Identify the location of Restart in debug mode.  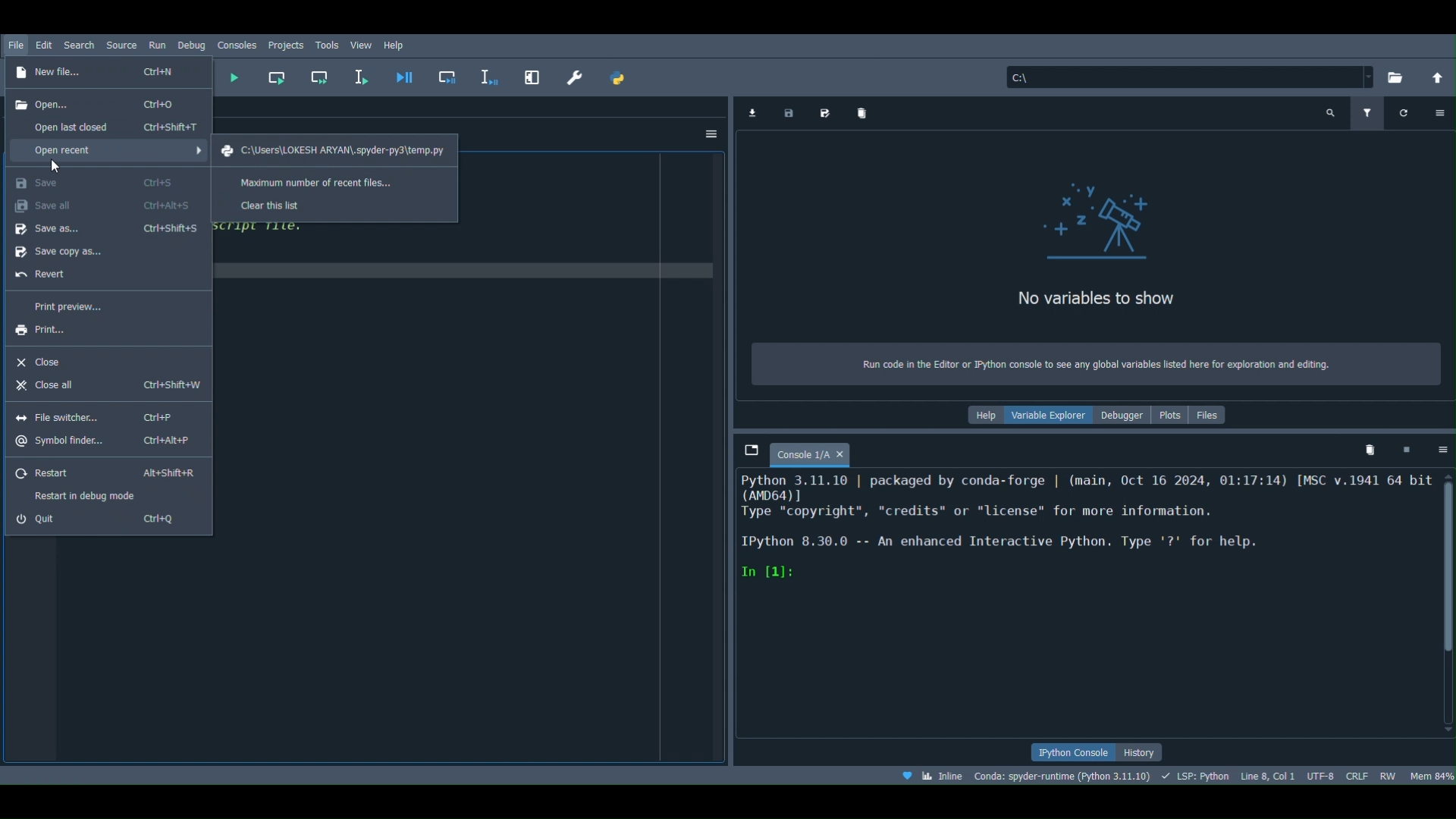
(90, 495).